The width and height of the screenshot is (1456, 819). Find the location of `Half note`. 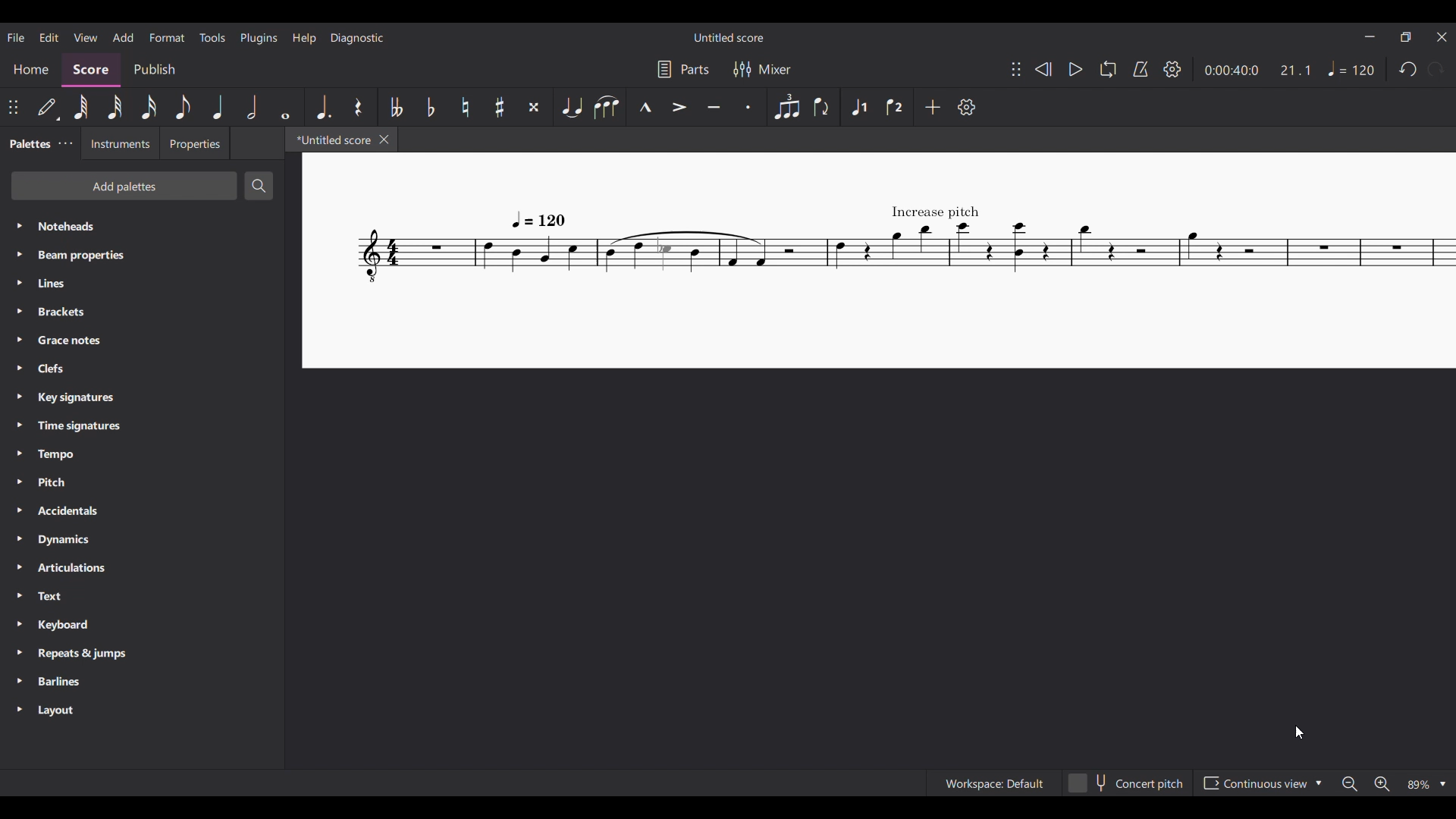

Half note is located at coordinates (252, 106).